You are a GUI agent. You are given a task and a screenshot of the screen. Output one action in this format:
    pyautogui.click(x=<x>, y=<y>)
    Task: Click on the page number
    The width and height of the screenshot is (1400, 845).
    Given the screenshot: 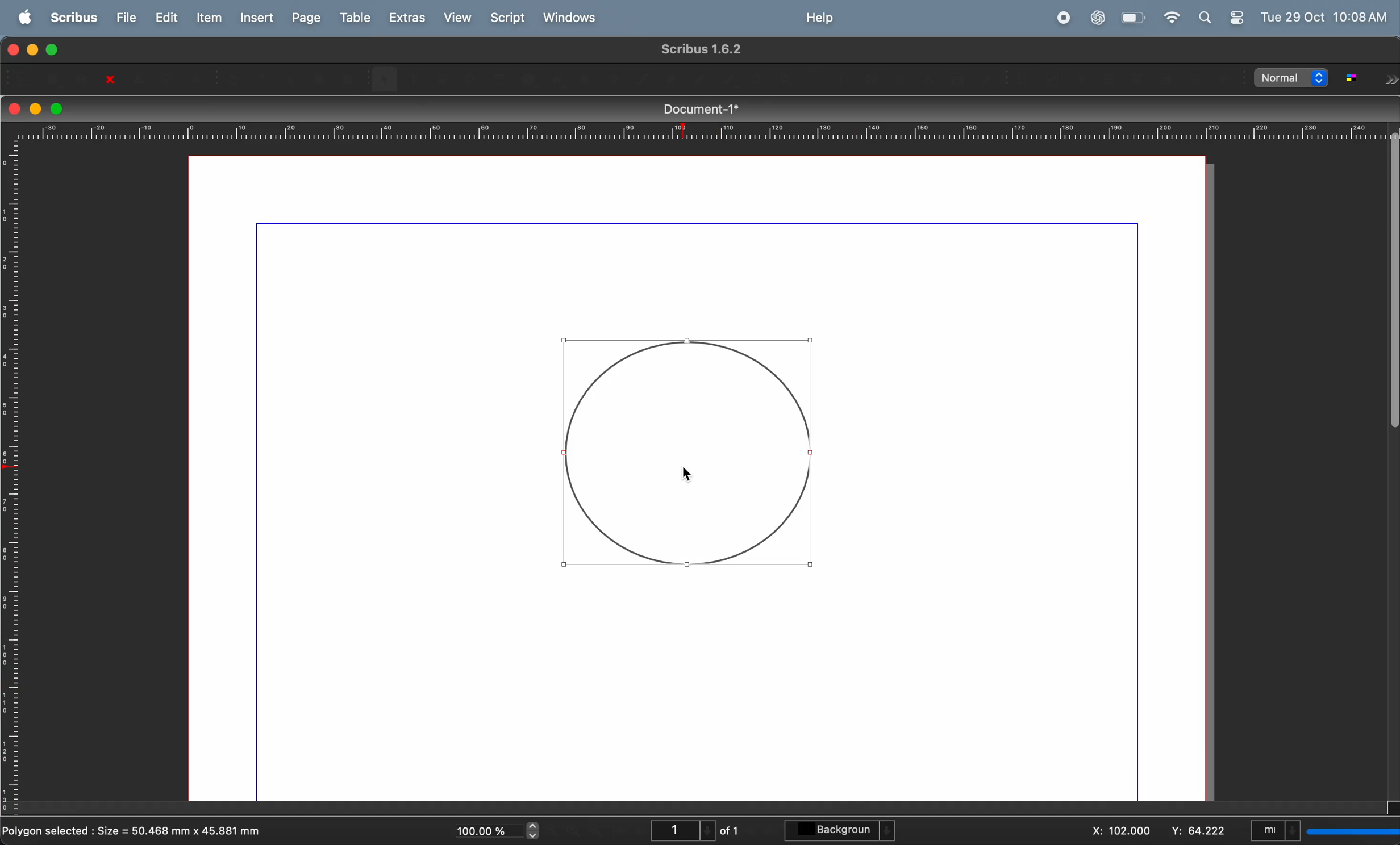 What is the action you would take?
    pyautogui.click(x=694, y=830)
    